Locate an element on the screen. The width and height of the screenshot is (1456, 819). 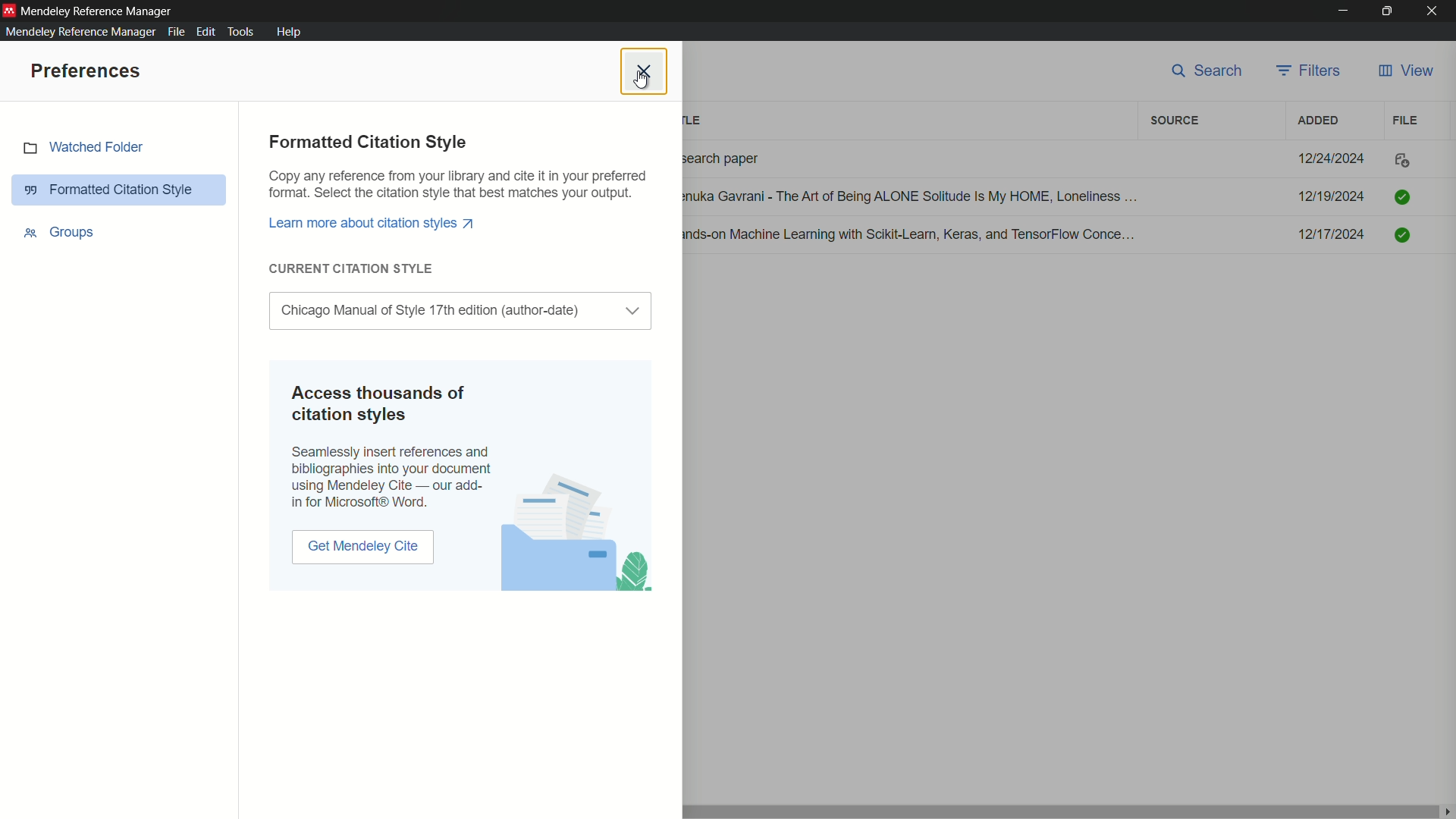
file is located at coordinates (1406, 120).